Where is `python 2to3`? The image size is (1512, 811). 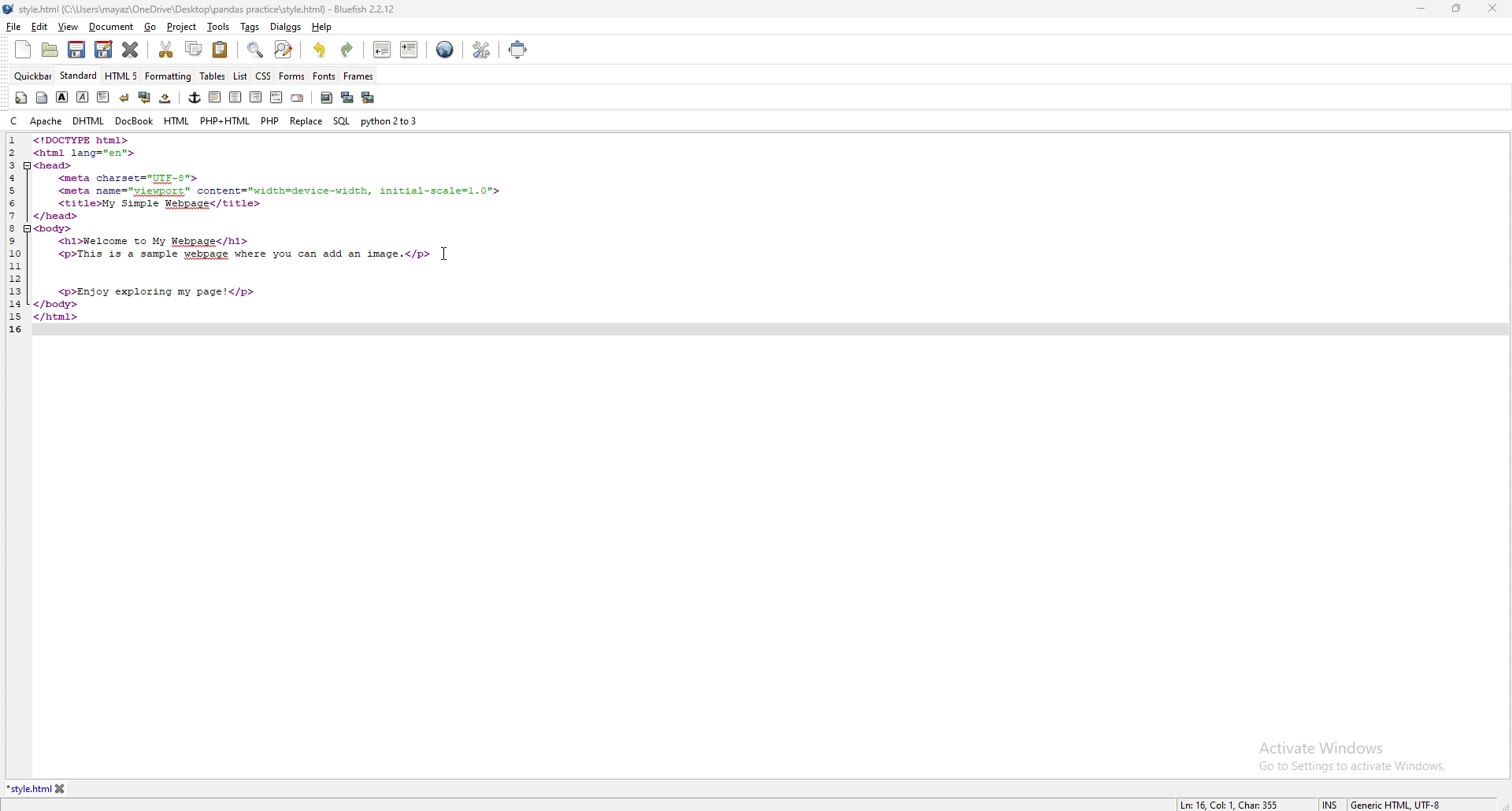
python 2to3 is located at coordinates (389, 120).